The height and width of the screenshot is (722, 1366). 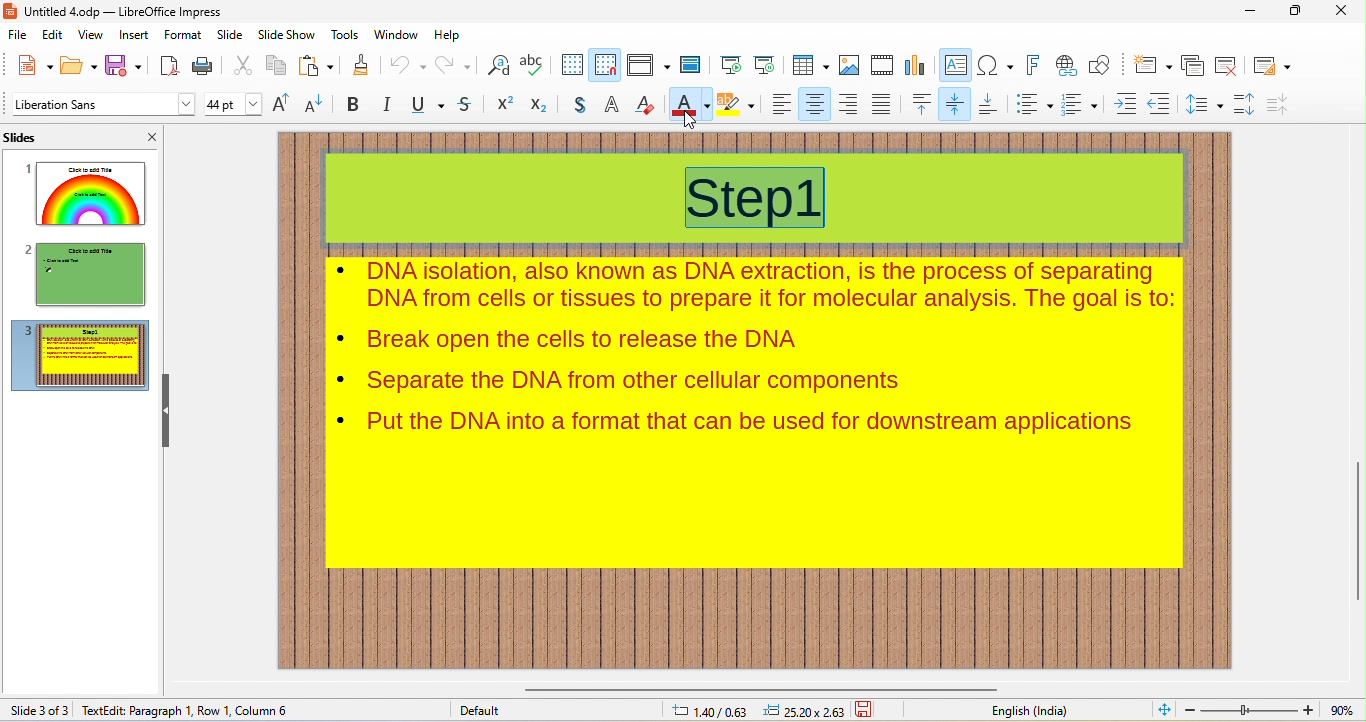 I want to click on slide1, so click(x=80, y=192).